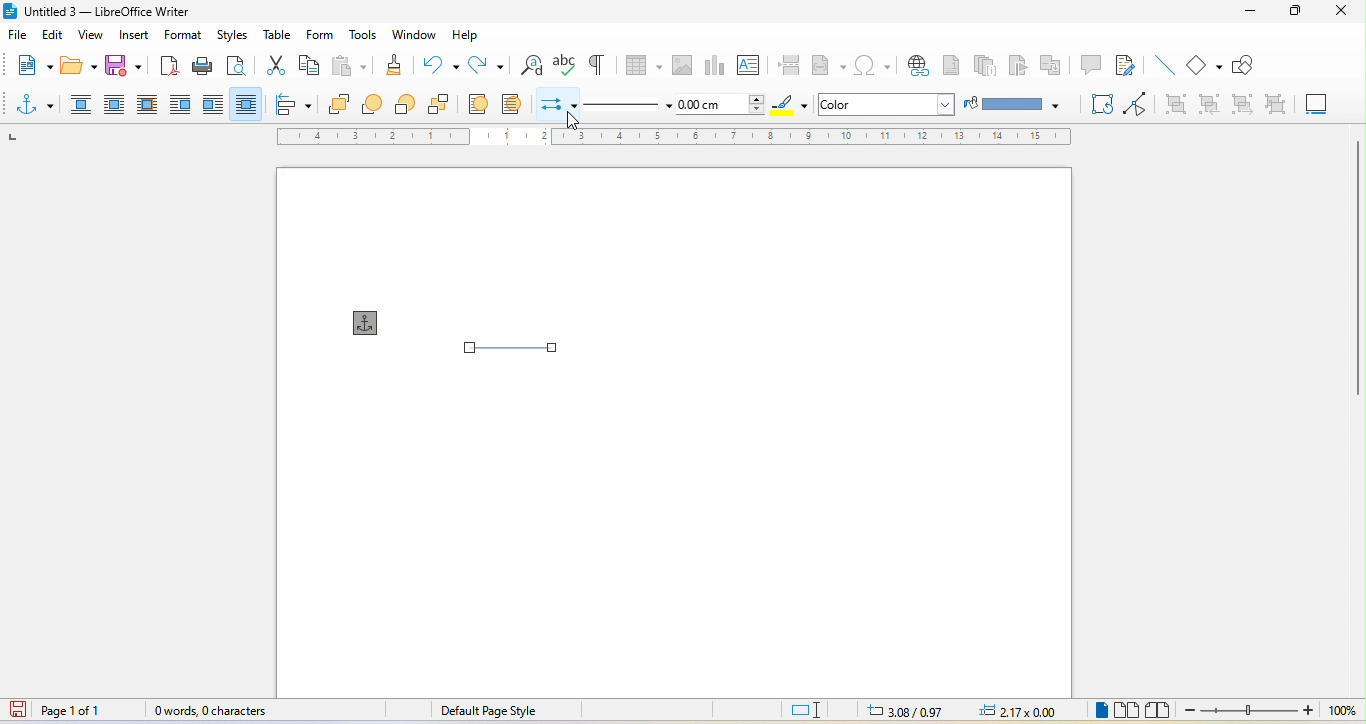  I want to click on book view, so click(1160, 710).